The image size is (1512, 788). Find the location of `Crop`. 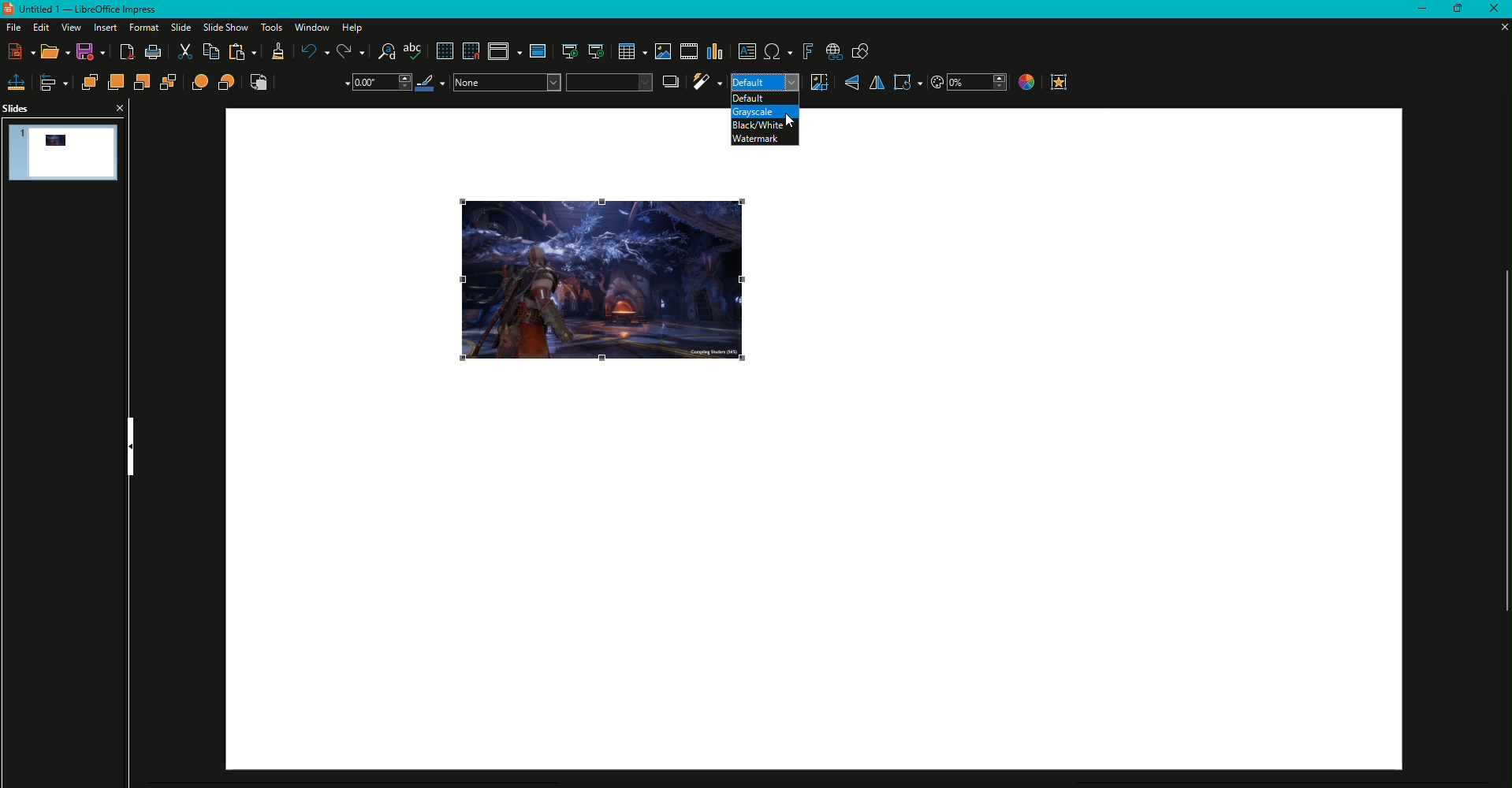

Crop is located at coordinates (818, 82).